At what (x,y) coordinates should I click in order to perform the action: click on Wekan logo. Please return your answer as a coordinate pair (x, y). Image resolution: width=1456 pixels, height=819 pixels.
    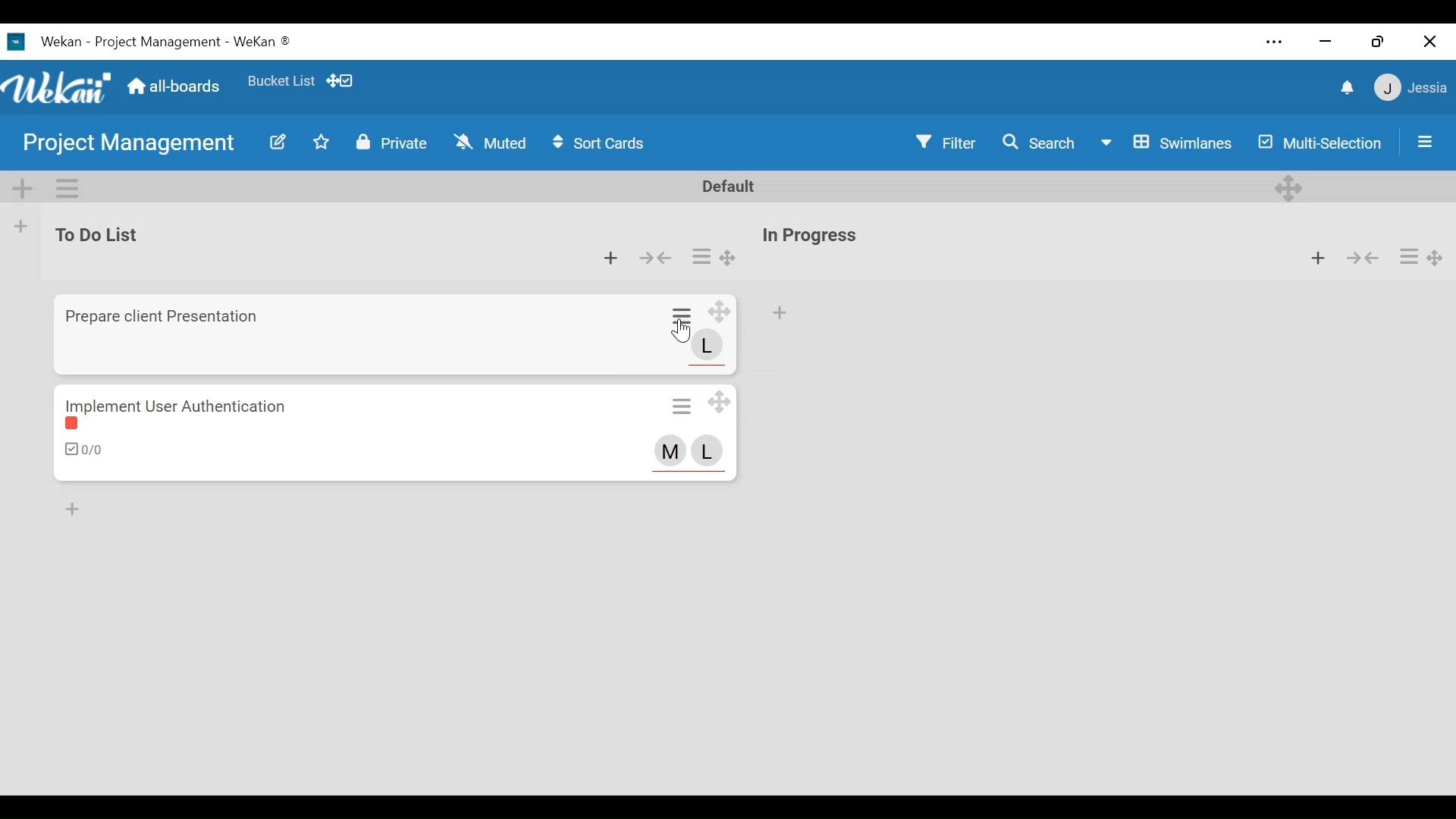
    Looking at the image, I should click on (59, 89).